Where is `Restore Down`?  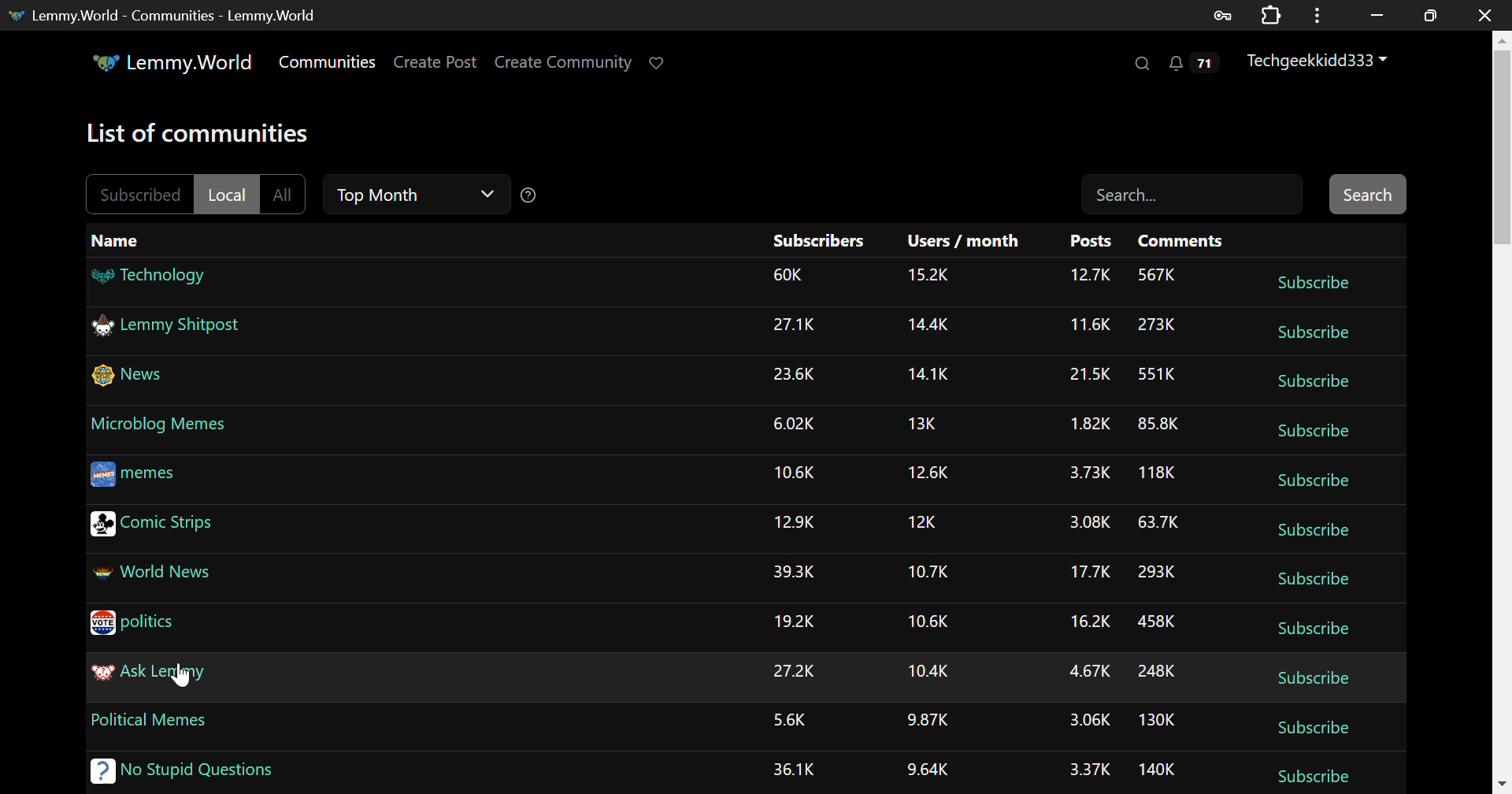
Restore Down is located at coordinates (1378, 15).